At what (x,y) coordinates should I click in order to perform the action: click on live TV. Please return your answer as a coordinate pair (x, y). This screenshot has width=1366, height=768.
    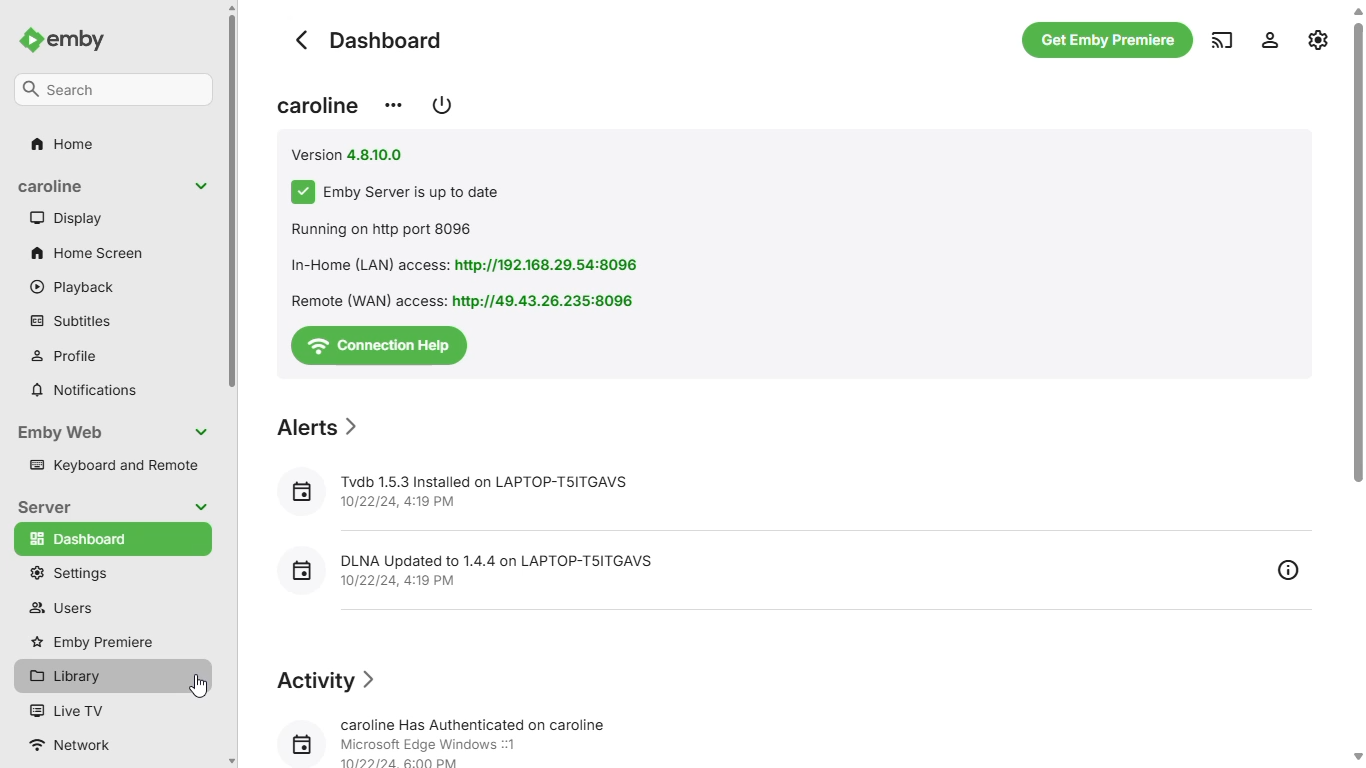
    Looking at the image, I should click on (68, 710).